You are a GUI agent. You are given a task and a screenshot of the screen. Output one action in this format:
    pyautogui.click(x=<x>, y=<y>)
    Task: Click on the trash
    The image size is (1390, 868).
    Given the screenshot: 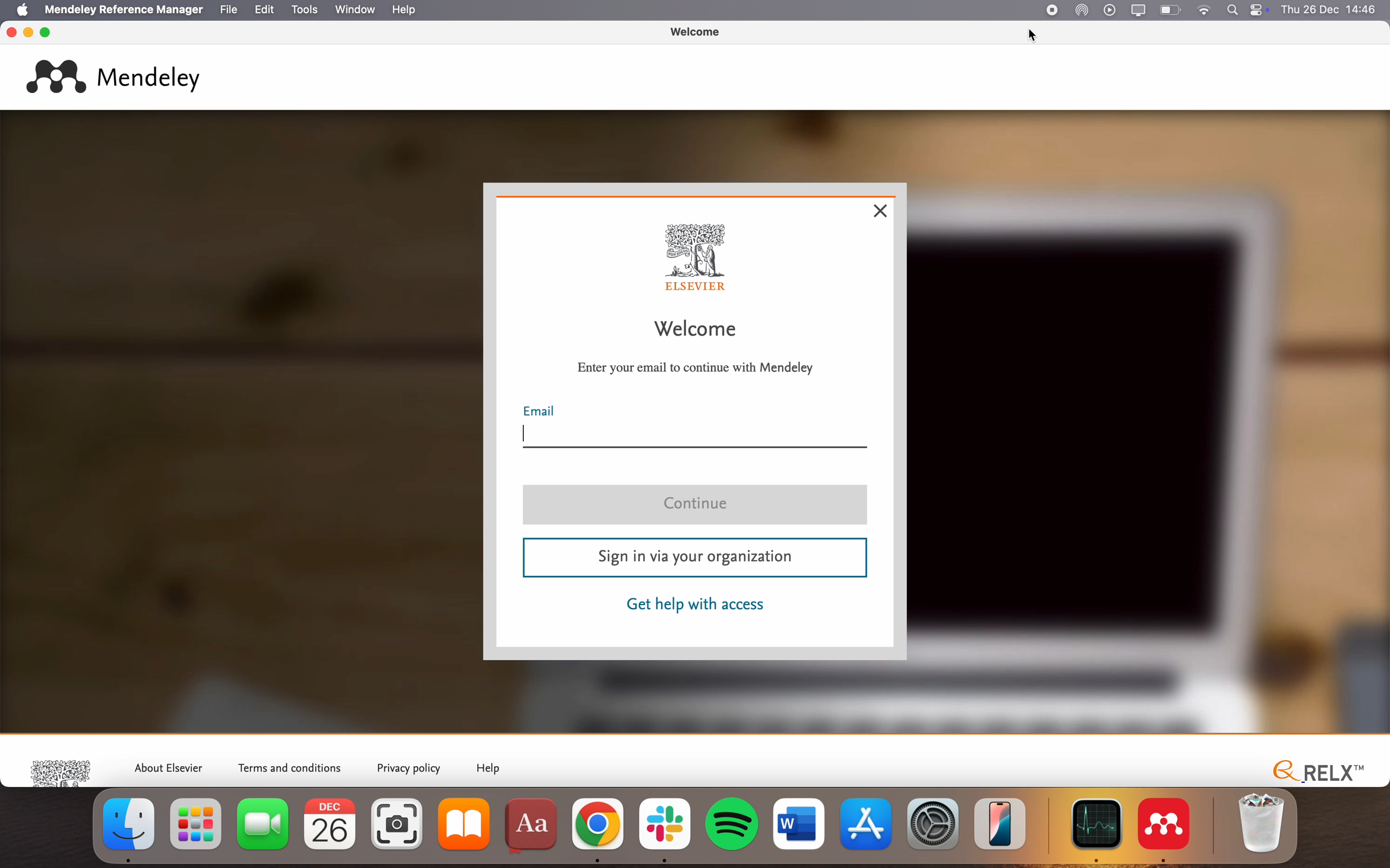 What is the action you would take?
    pyautogui.click(x=1261, y=823)
    